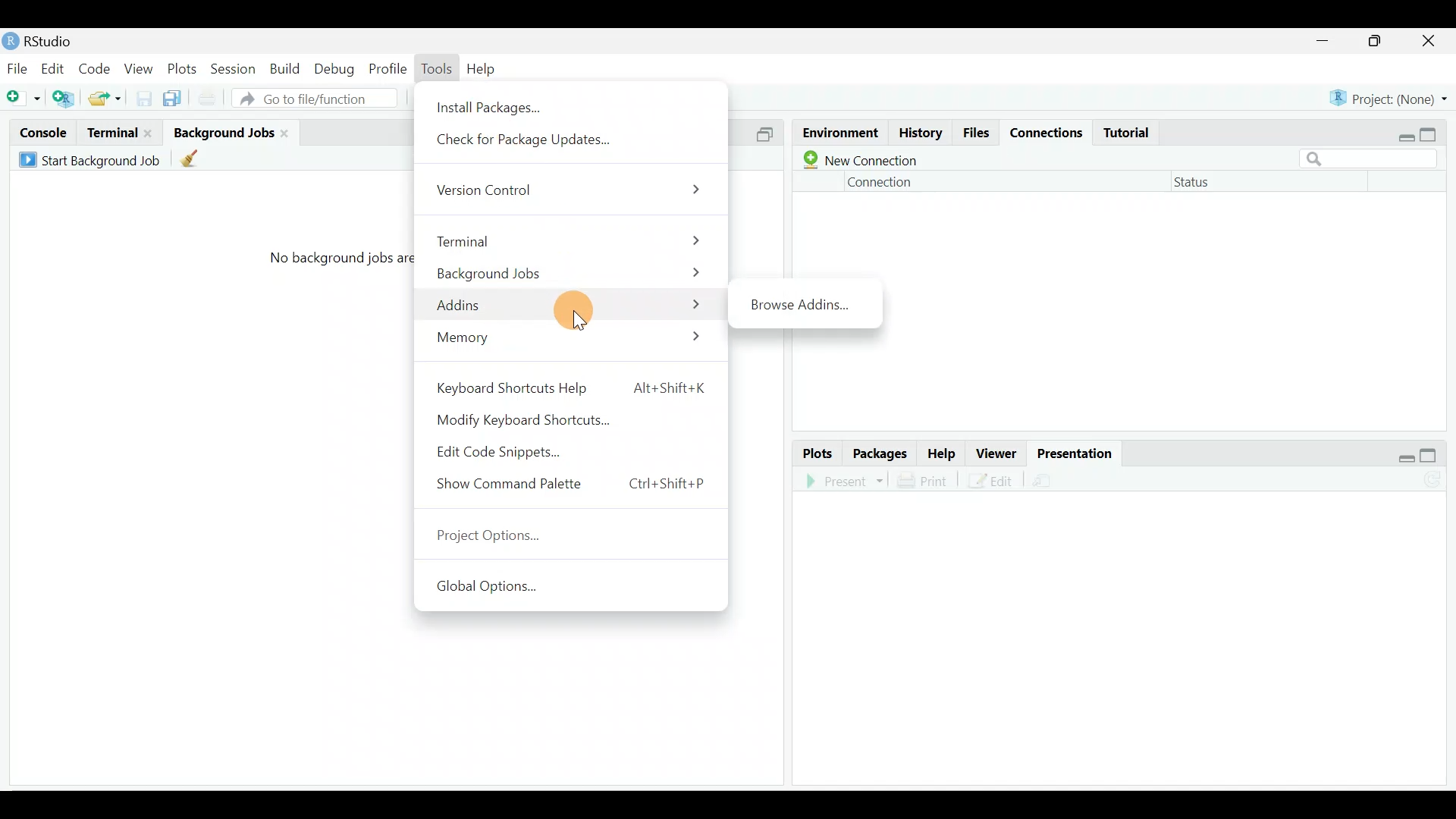 This screenshot has height=819, width=1456. What do you see at coordinates (1373, 160) in the screenshot?
I see `Search bar` at bounding box center [1373, 160].